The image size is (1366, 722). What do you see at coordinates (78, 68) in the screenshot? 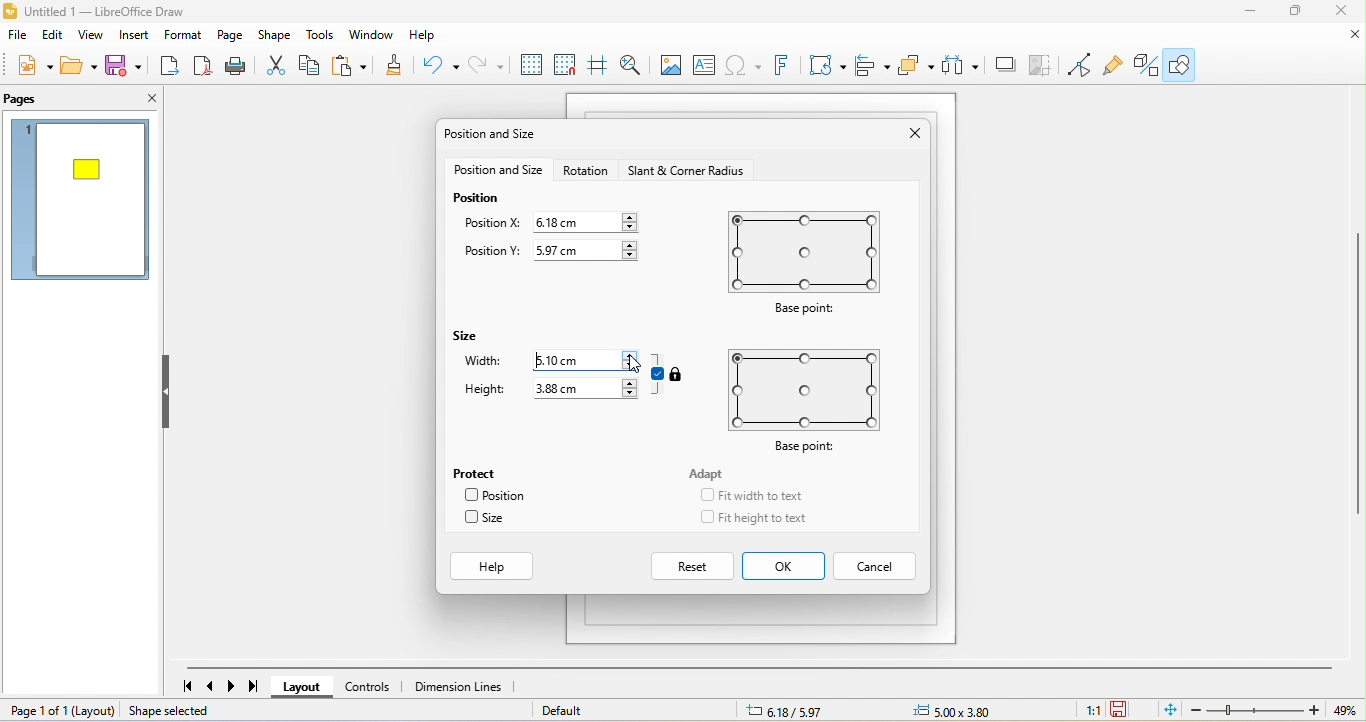
I see `open` at bounding box center [78, 68].